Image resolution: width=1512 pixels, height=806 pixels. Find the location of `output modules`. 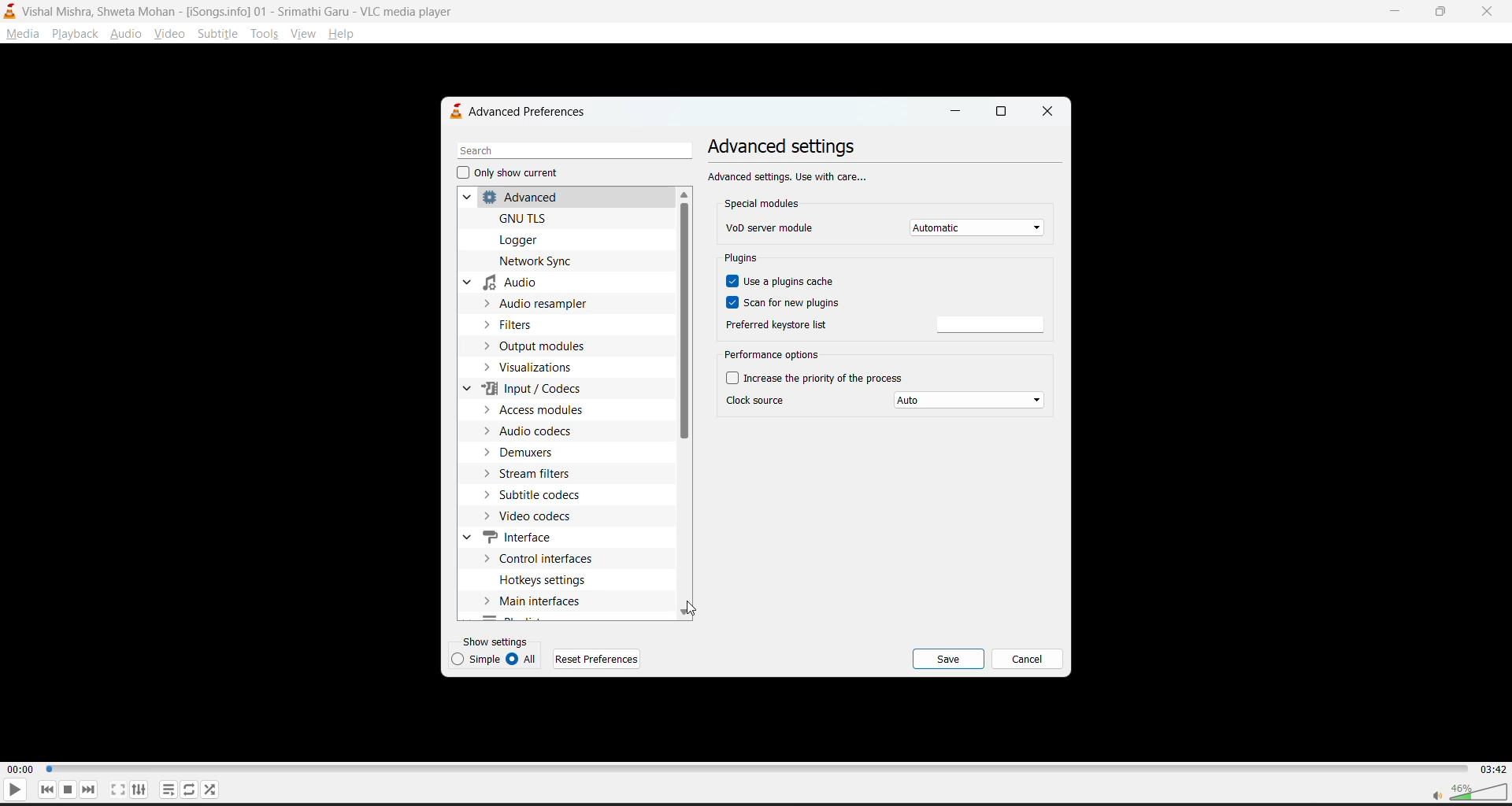

output modules is located at coordinates (545, 348).